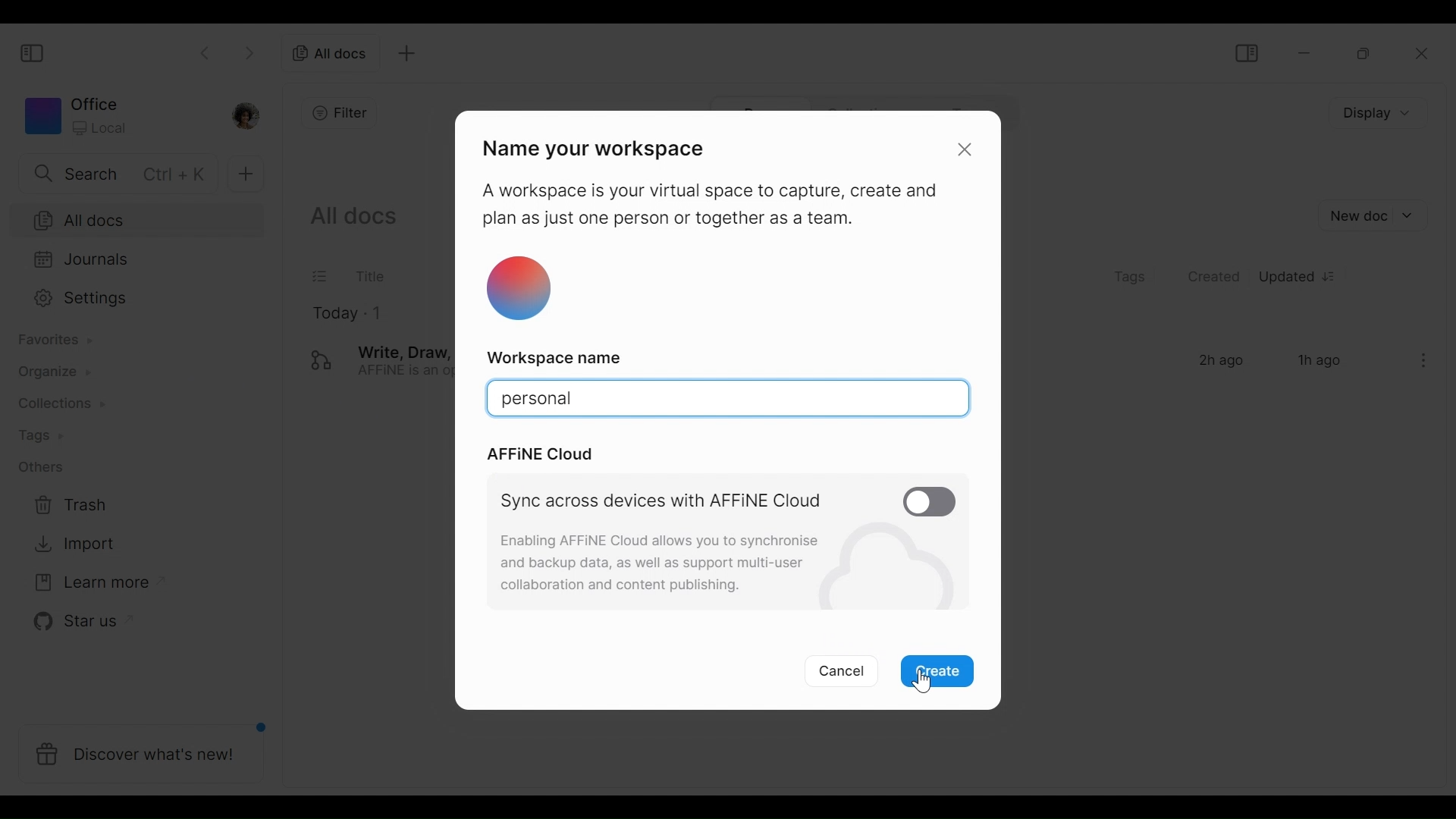 The width and height of the screenshot is (1456, 819). What do you see at coordinates (406, 52) in the screenshot?
I see `New tab` at bounding box center [406, 52].